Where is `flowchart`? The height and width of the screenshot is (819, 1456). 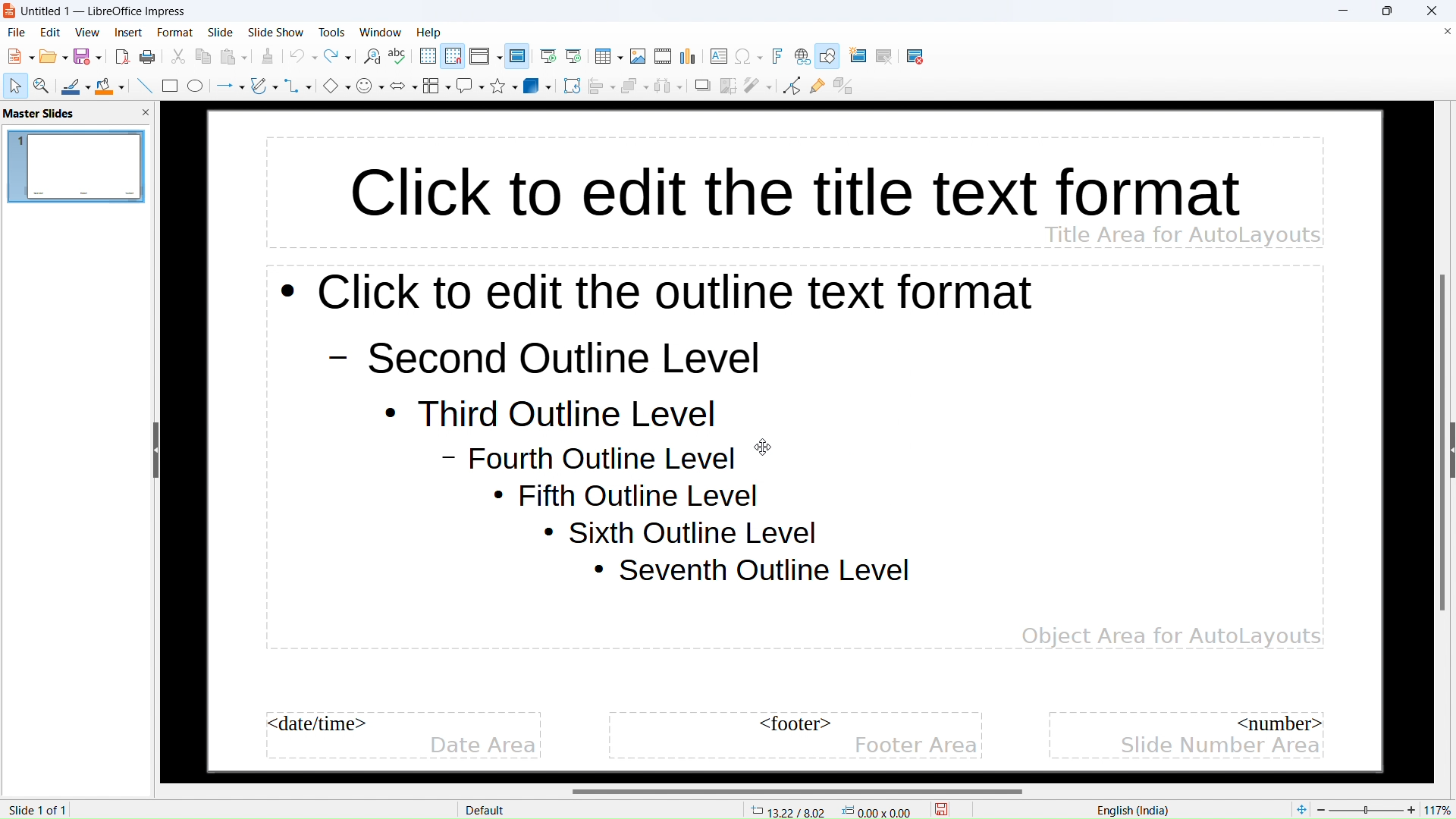
flowchart is located at coordinates (437, 86).